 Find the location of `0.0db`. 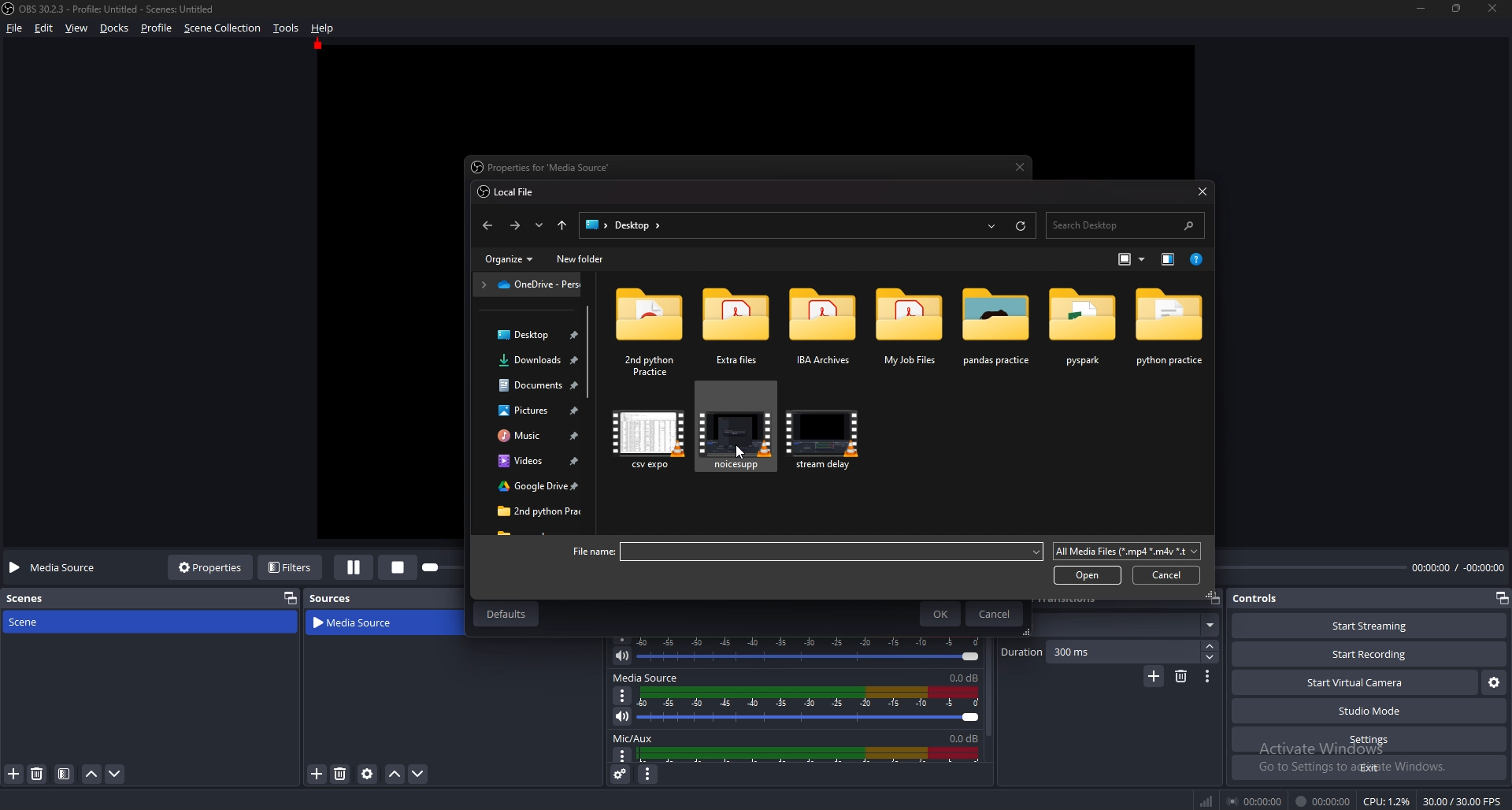

0.0db is located at coordinates (960, 736).